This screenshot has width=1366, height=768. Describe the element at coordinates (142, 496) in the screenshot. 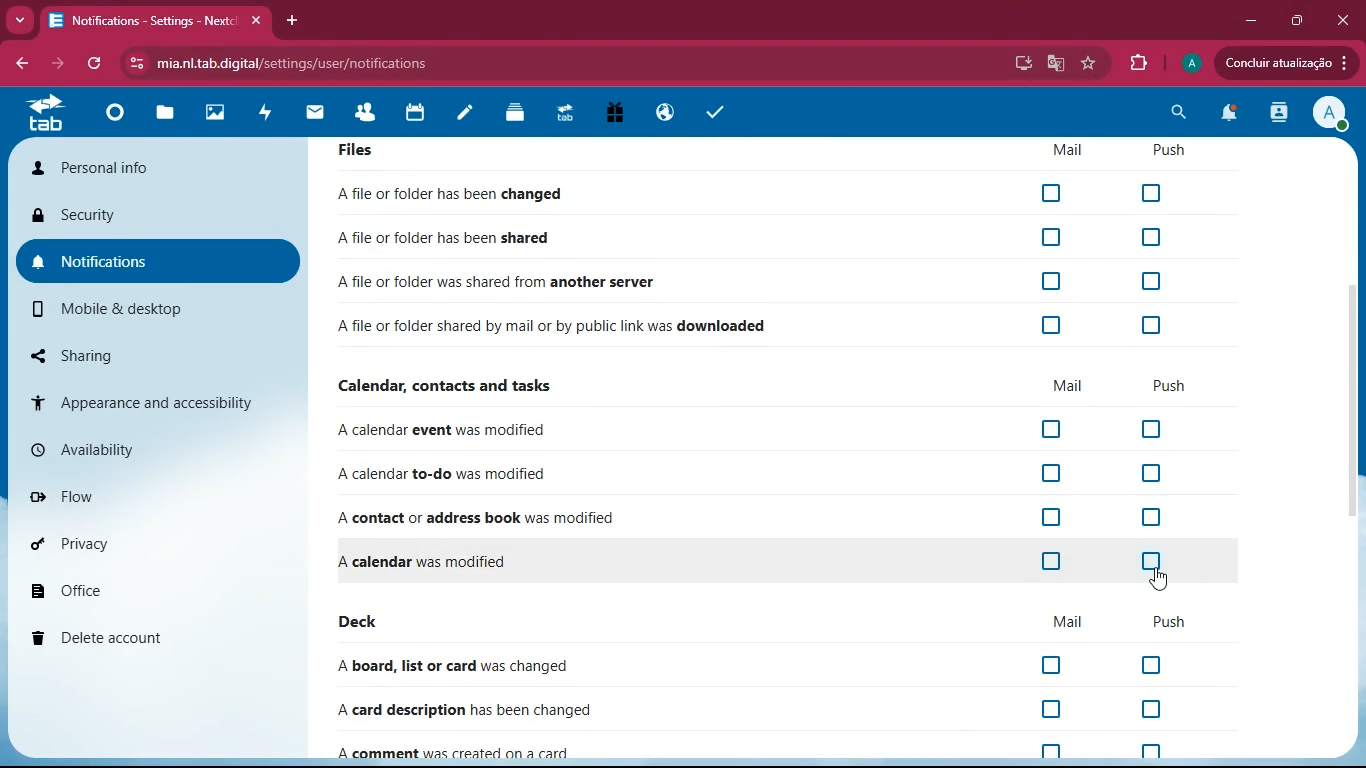

I see `flow` at that location.